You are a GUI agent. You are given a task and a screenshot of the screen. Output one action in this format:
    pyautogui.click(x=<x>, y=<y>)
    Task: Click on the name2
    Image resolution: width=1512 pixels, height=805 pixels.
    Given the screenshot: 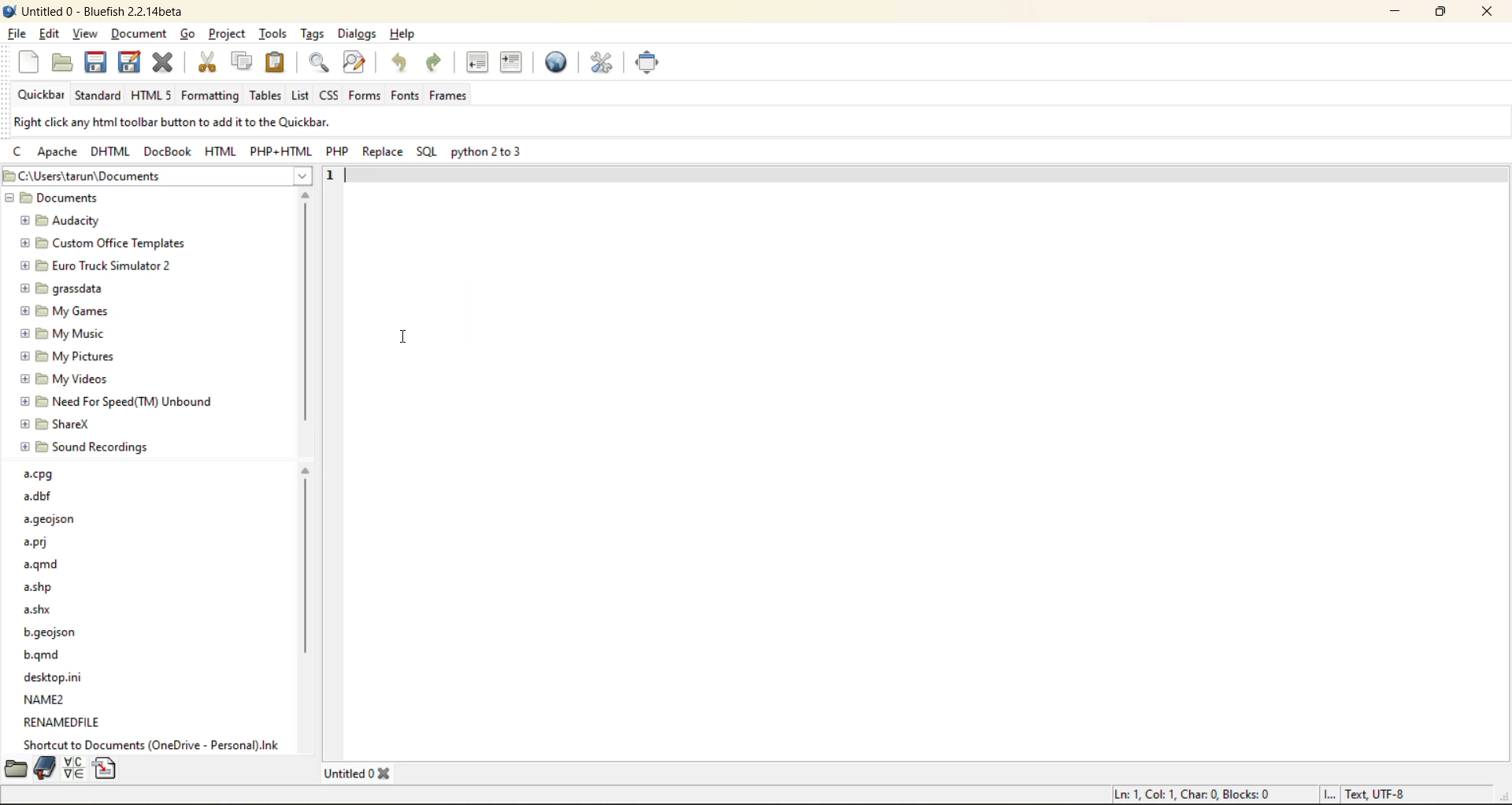 What is the action you would take?
    pyautogui.click(x=46, y=699)
    